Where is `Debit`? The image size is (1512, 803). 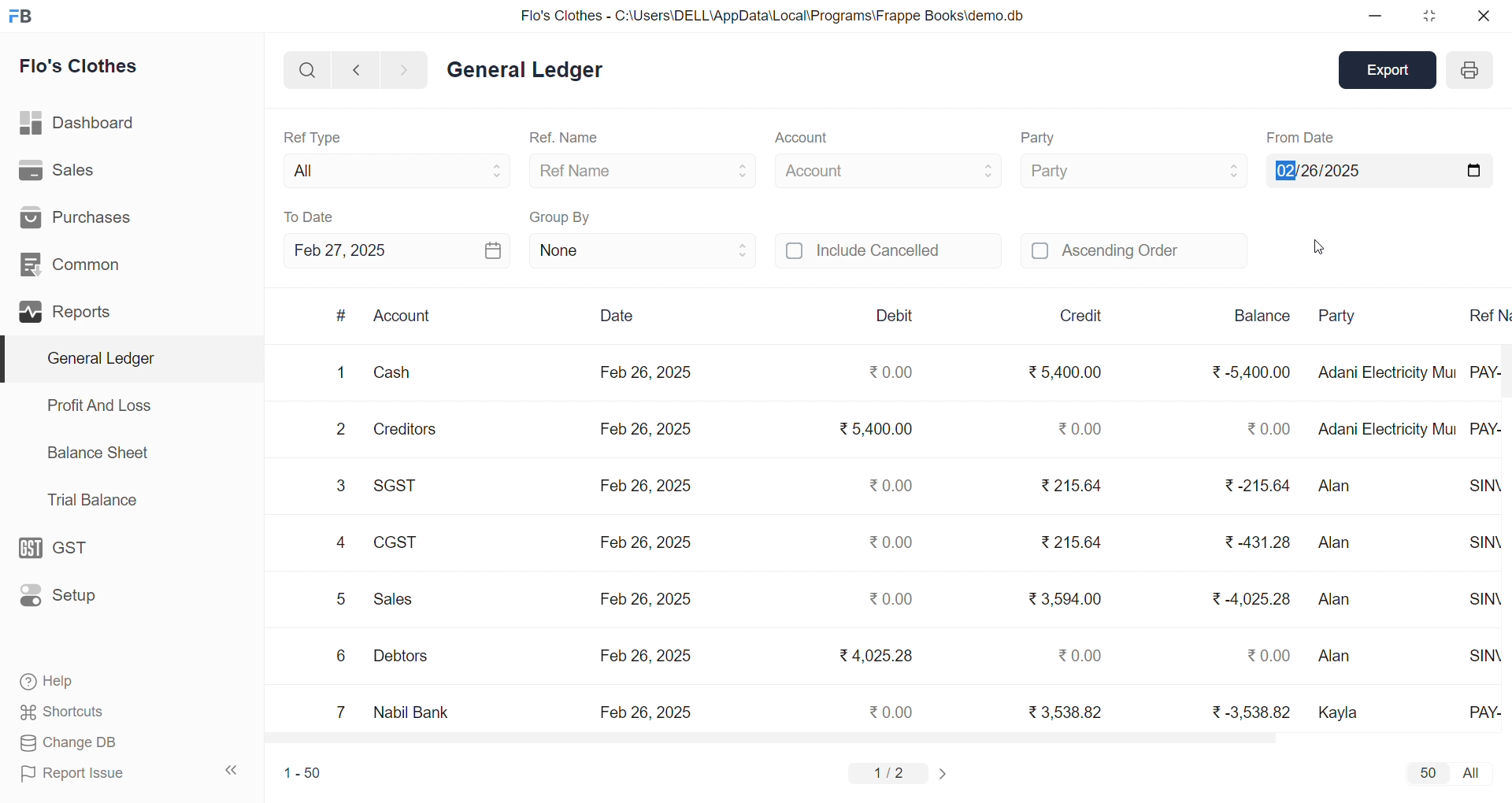 Debit is located at coordinates (895, 315).